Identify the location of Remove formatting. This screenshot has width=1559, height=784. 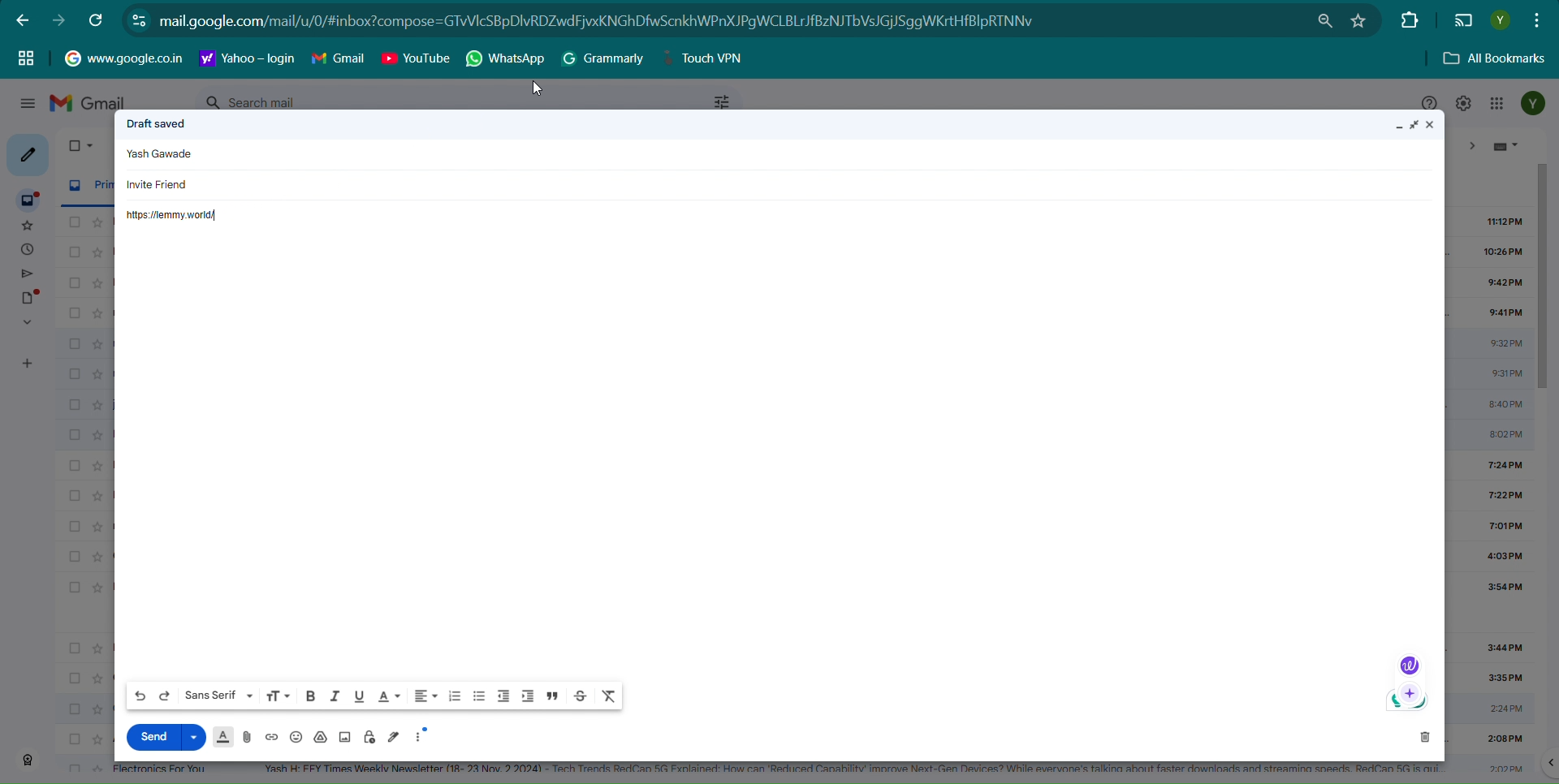
(610, 696).